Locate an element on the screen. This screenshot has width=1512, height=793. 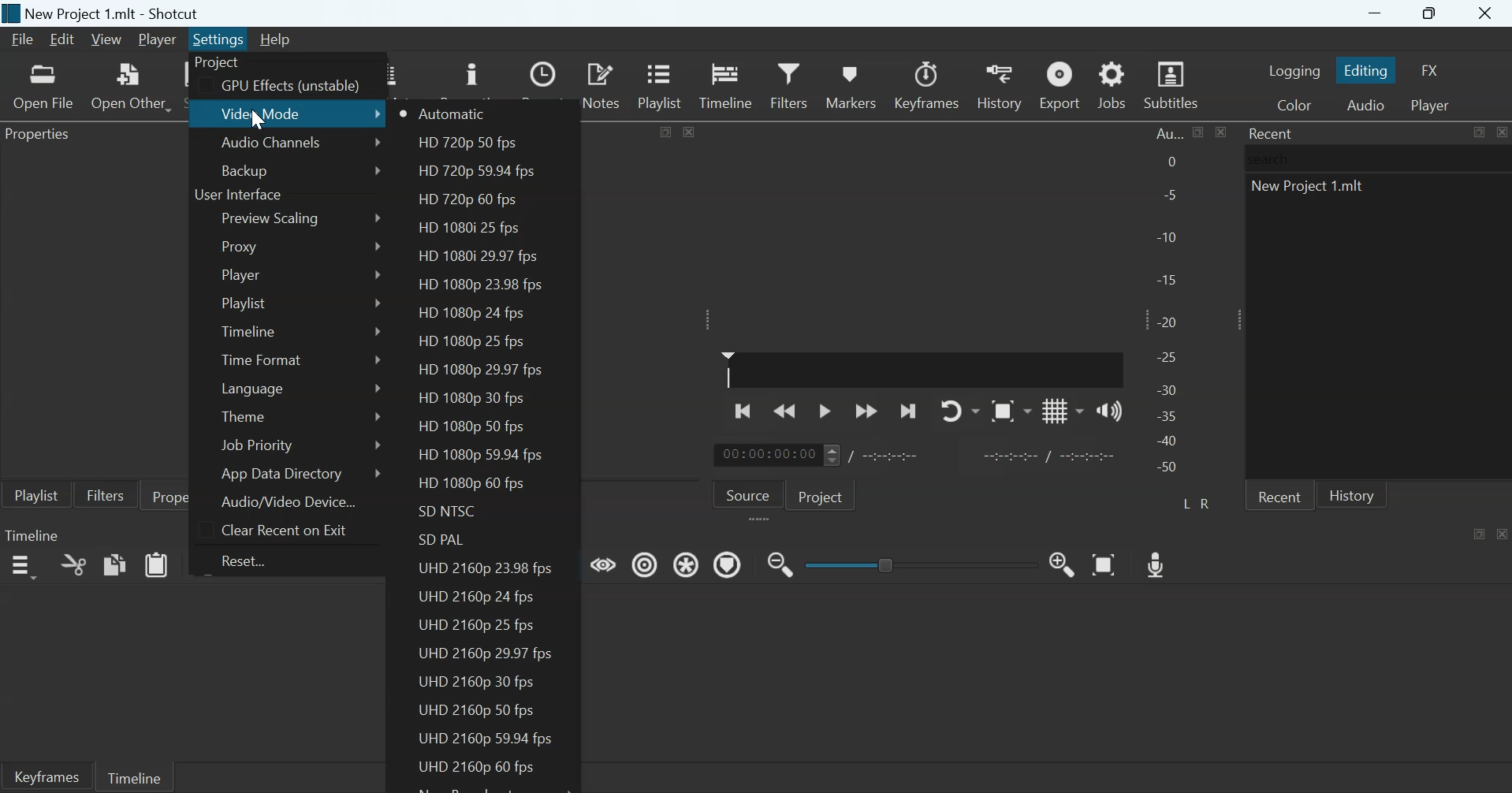
Preview scaling is located at coordinates (274, 219).